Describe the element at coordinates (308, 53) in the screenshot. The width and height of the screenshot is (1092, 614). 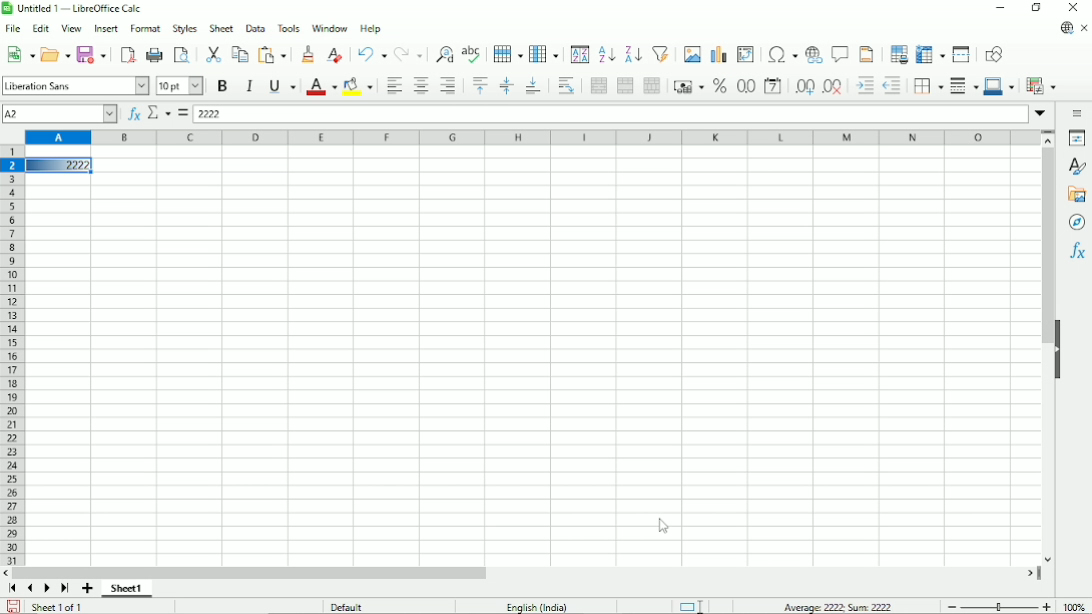
I see `Clone formatting` at that location.